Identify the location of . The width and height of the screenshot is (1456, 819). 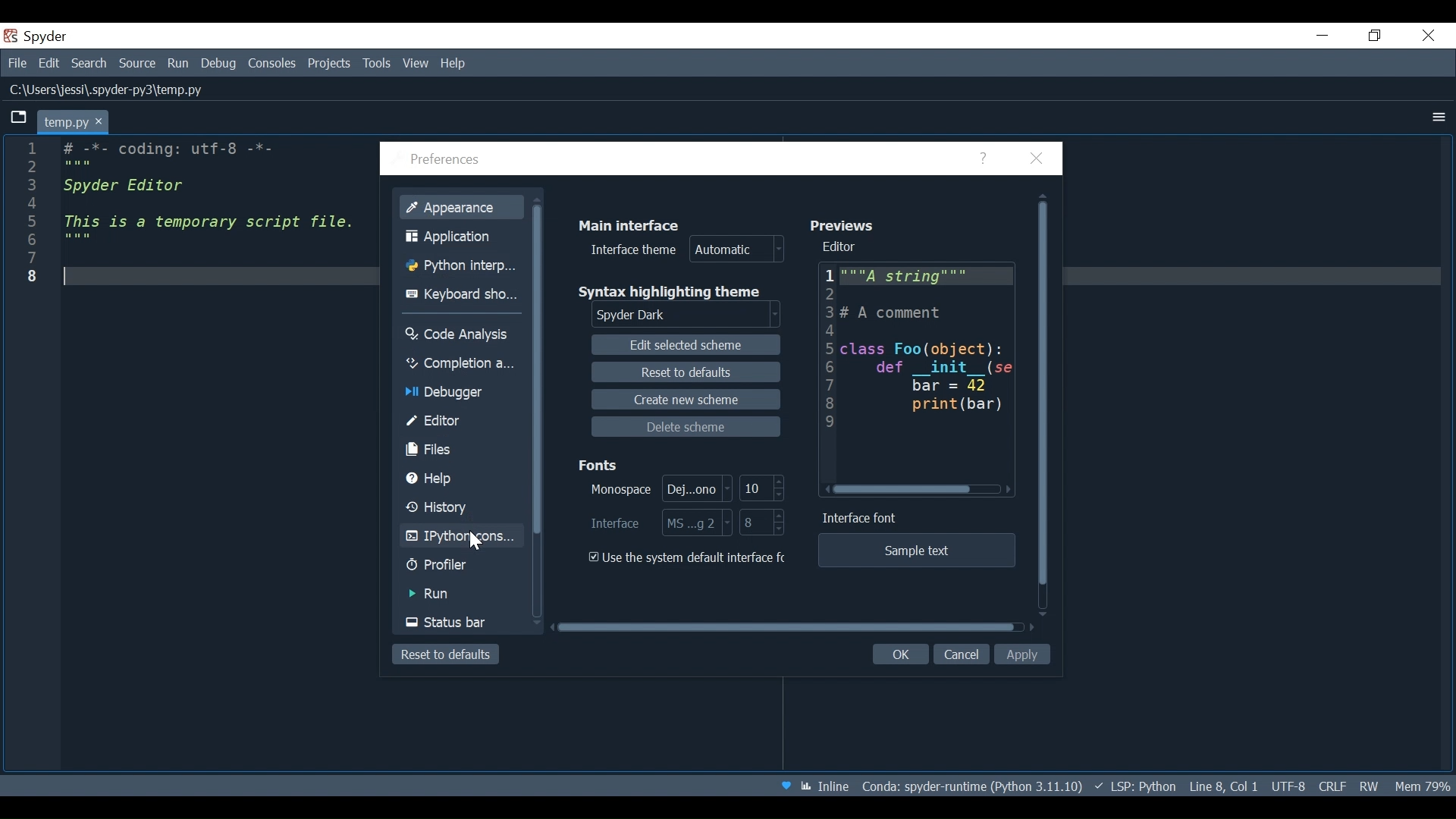
(1436, 116).